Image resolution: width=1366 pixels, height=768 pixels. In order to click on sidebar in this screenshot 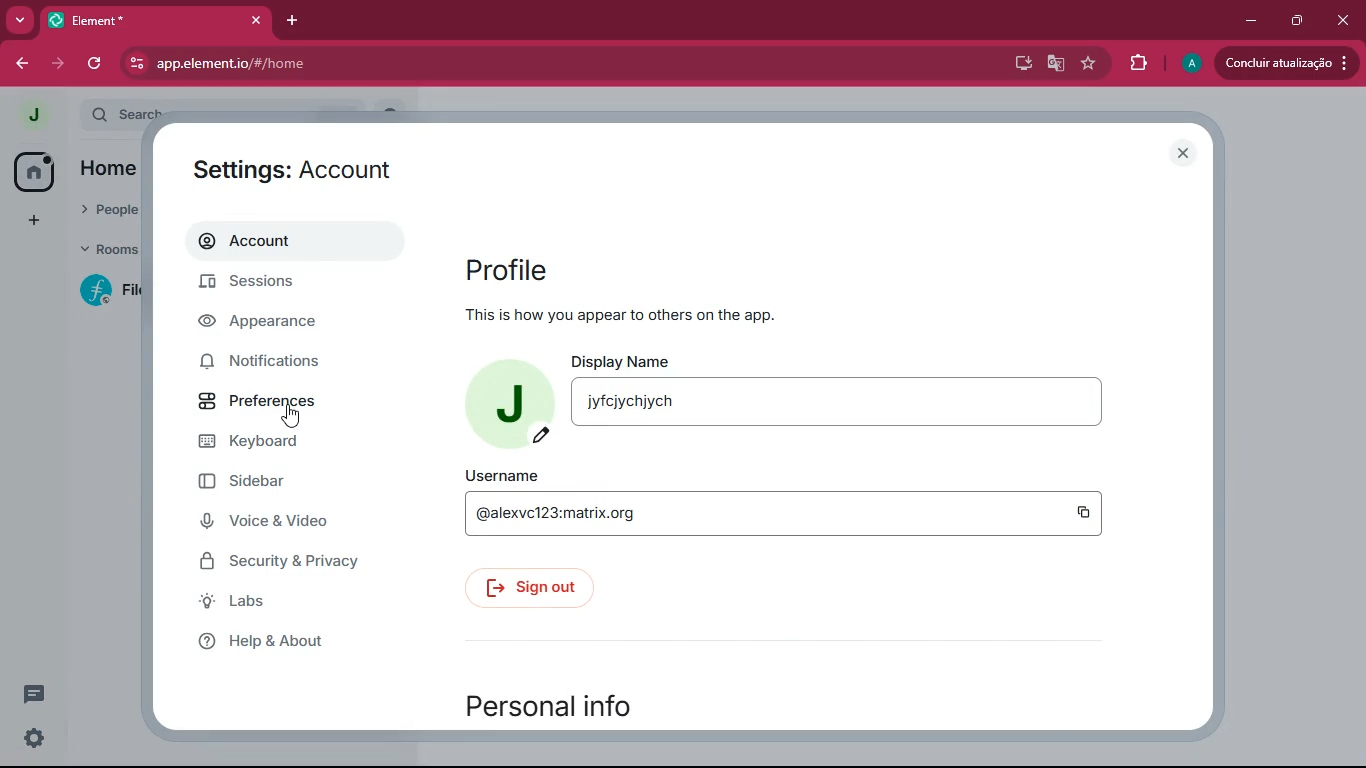, I will do `click(292, 482)`.